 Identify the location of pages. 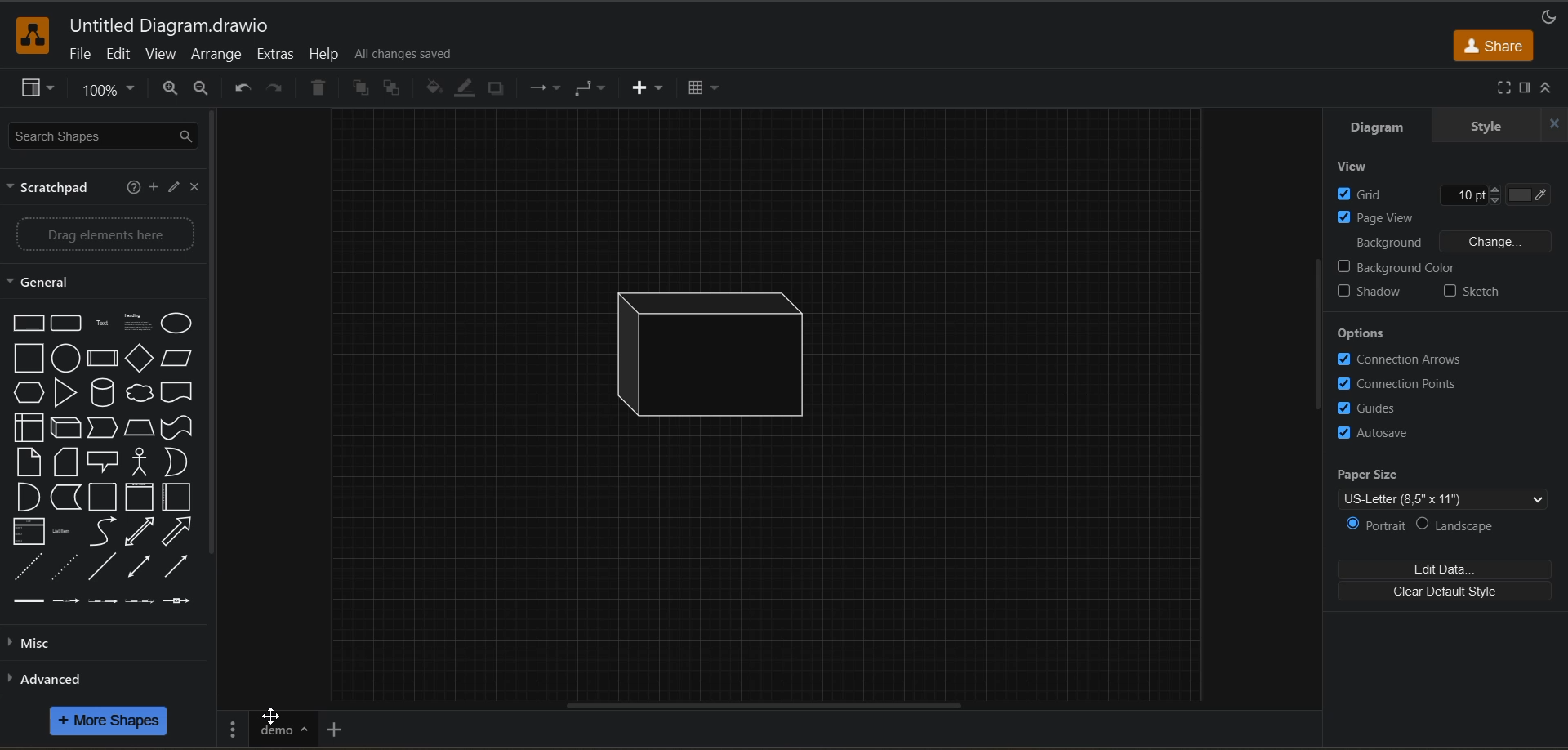
(233, 728).